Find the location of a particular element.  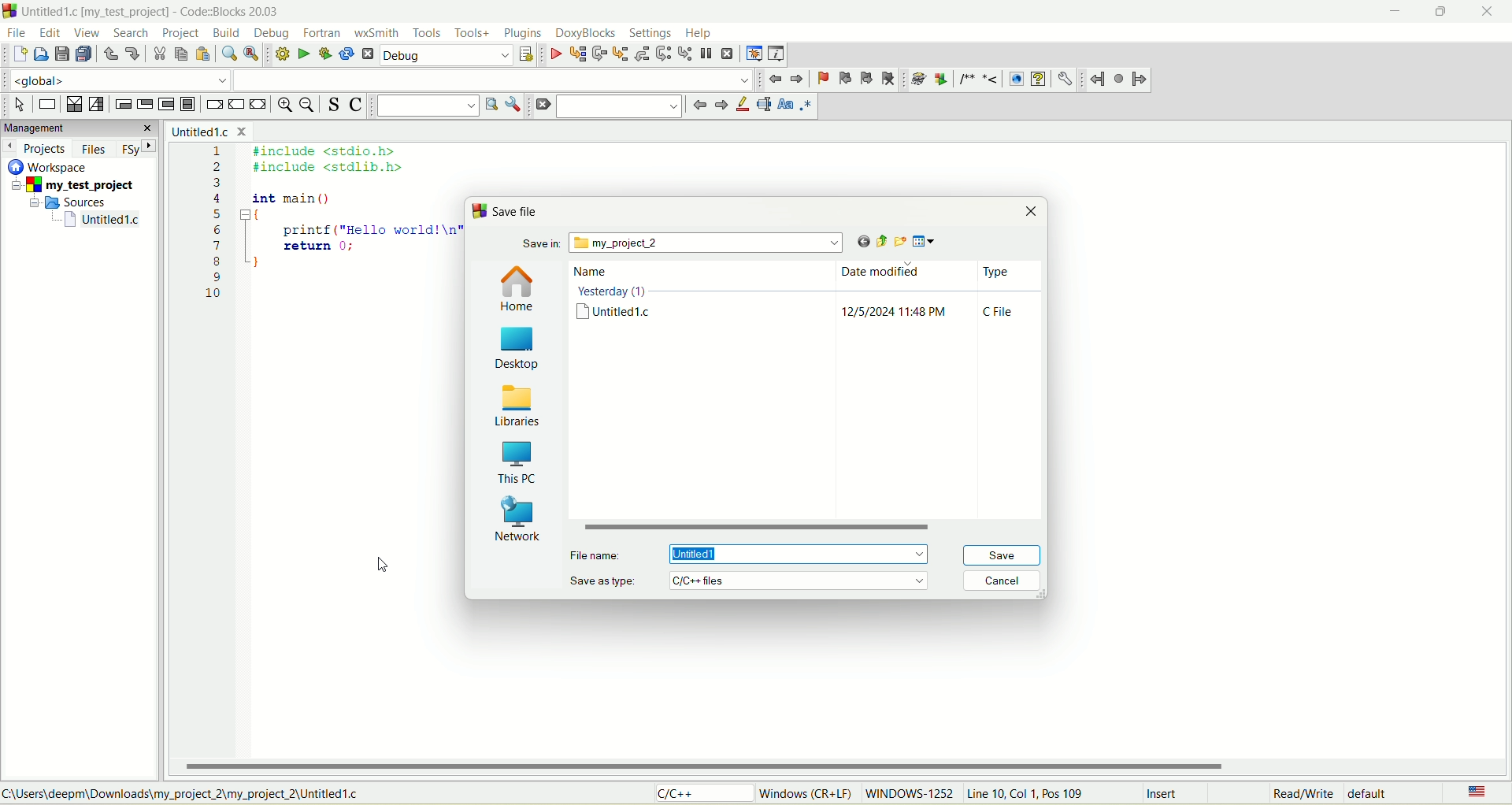

block instruction is located at coordinates (187, 105).